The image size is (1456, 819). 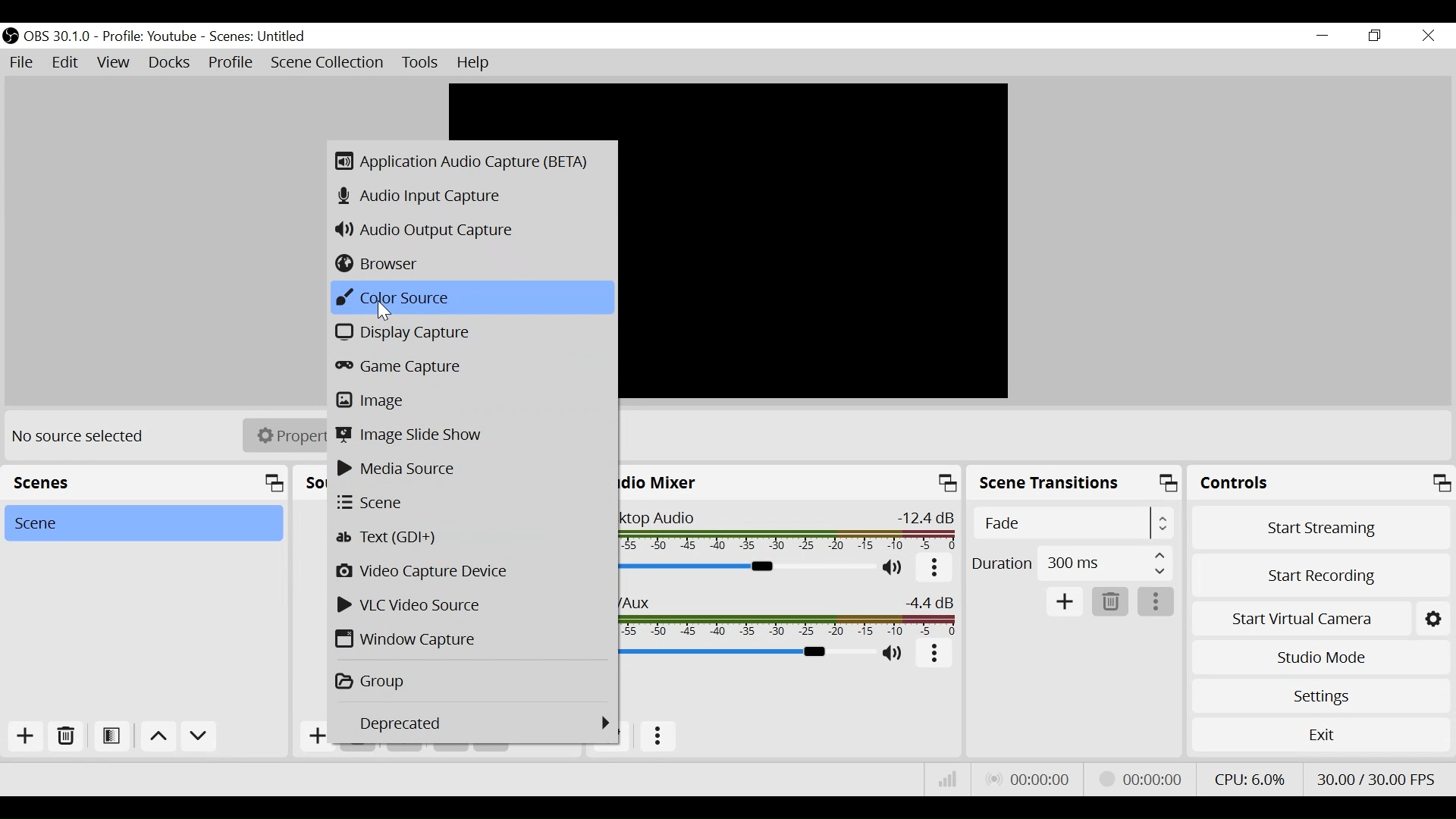 I want to click on Frame Per Second, so click(x=1376, y=777).